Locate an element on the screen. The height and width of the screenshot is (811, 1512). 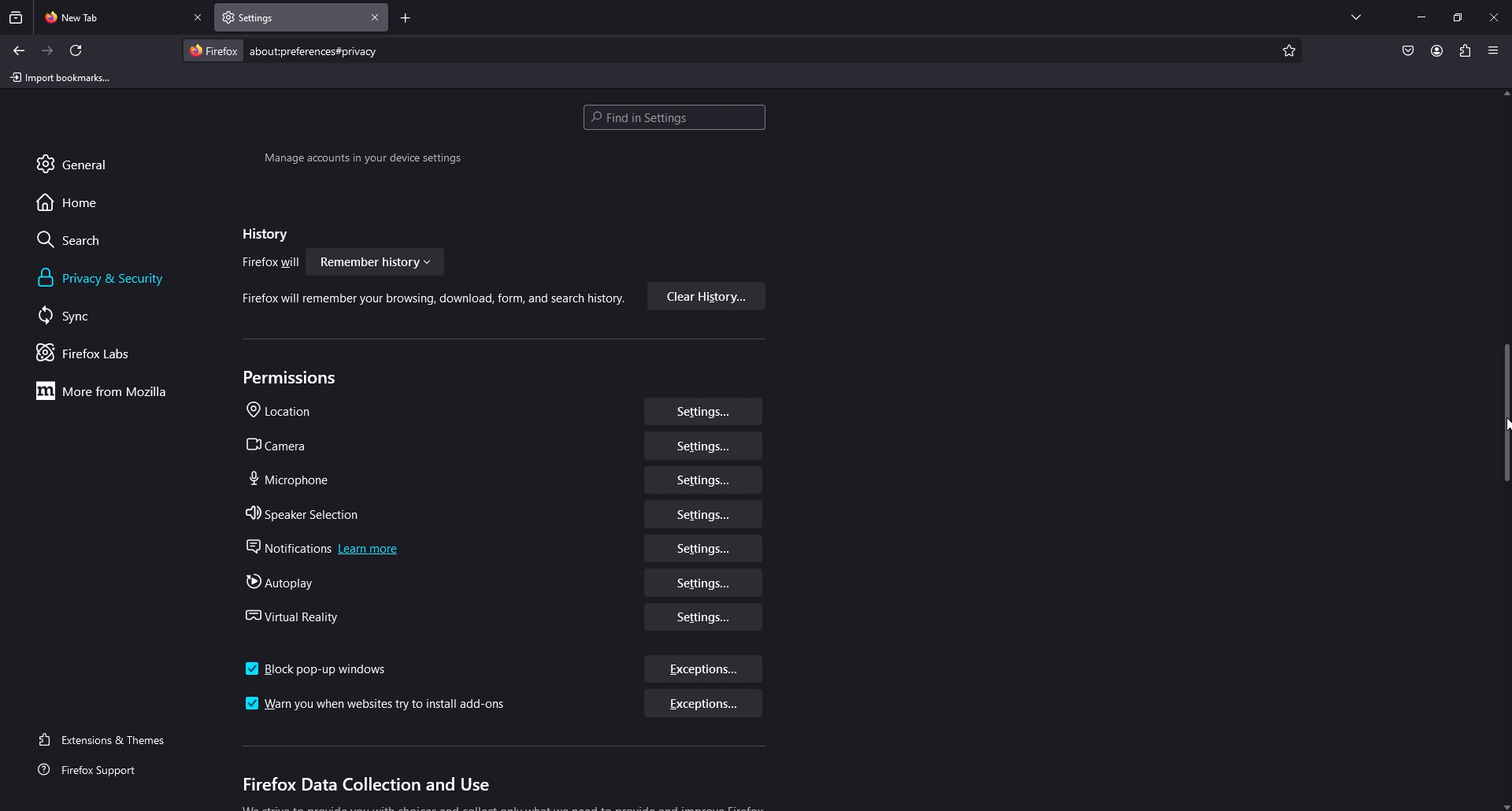
settings tab is located at coordinates (269, 17).